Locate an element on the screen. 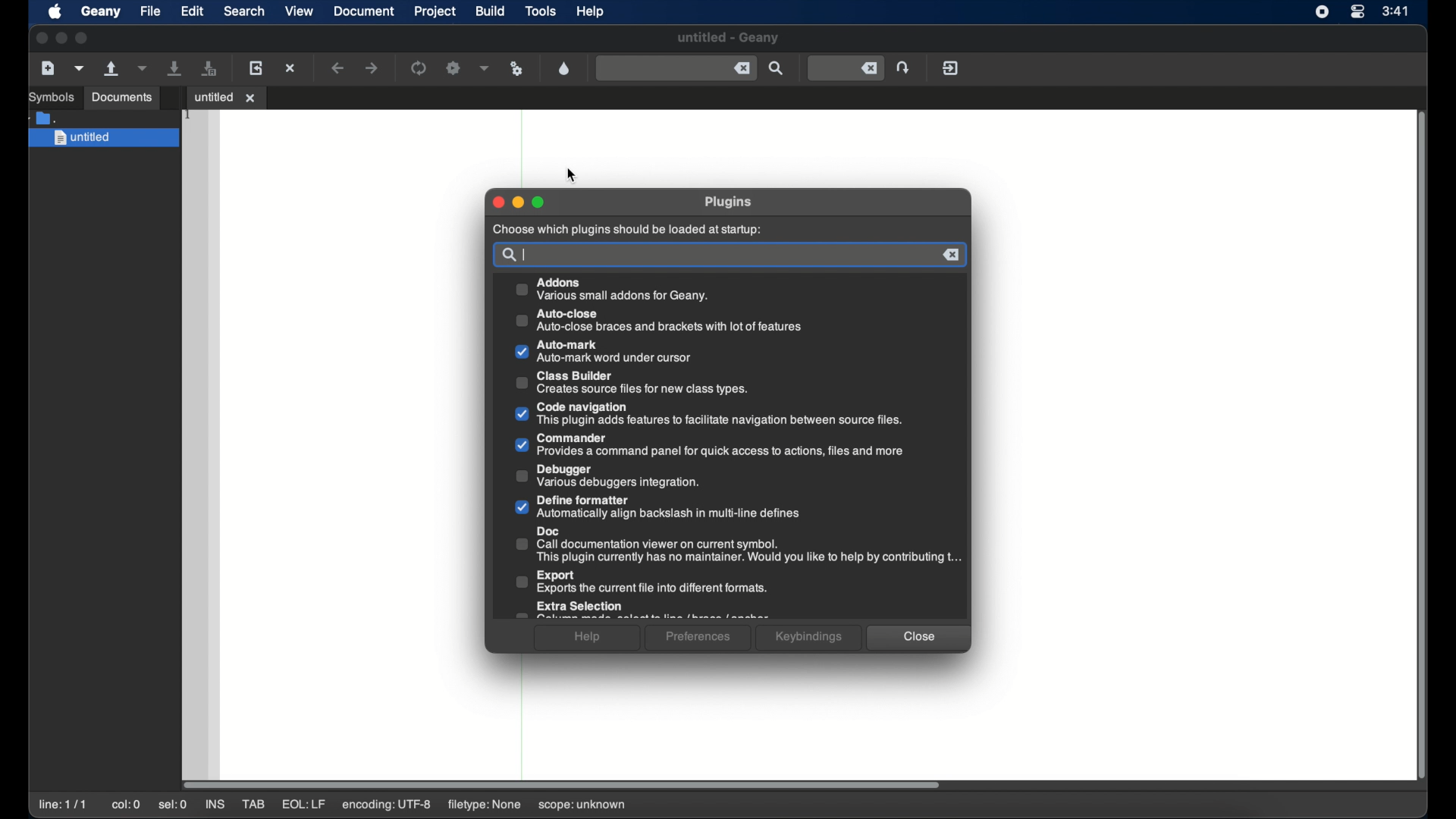 This screenshot has width=1456, height=819. search is located at coordinates (244, 11).